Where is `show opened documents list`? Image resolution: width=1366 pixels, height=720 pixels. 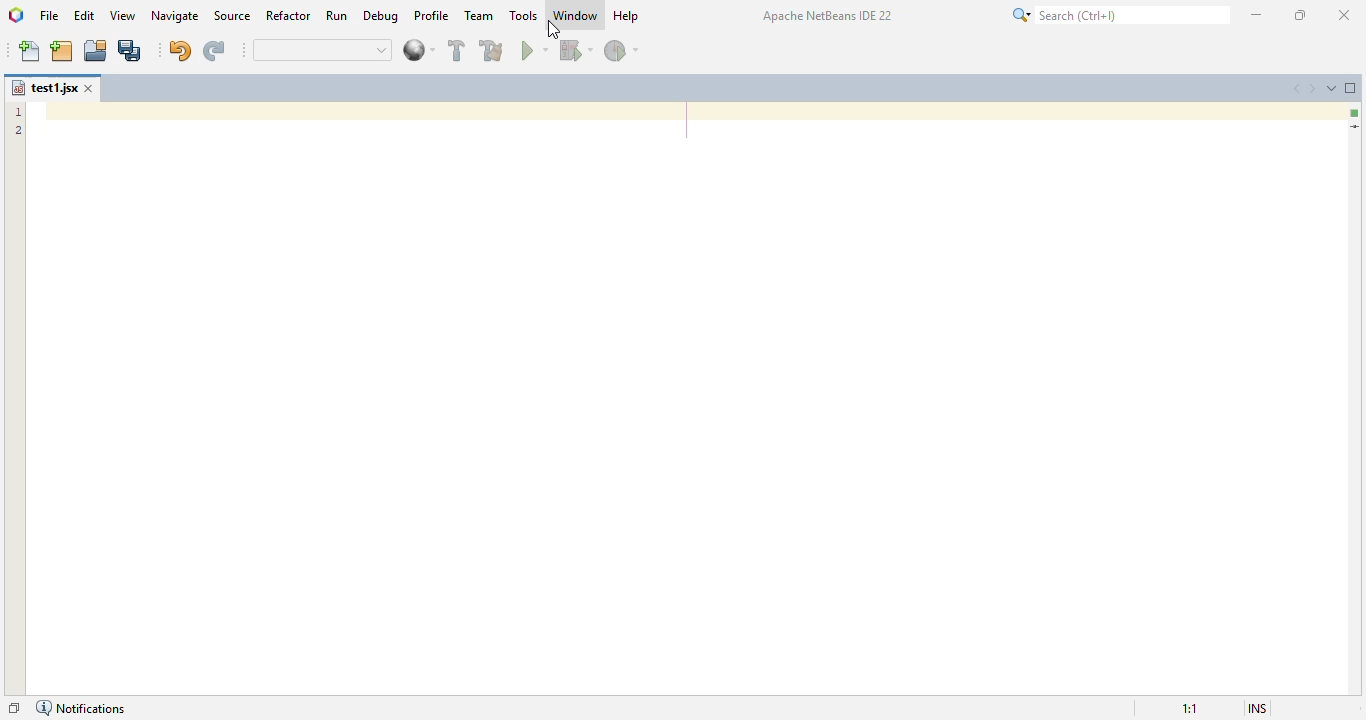
show opened documents list is located at coordinates (1332, 88).